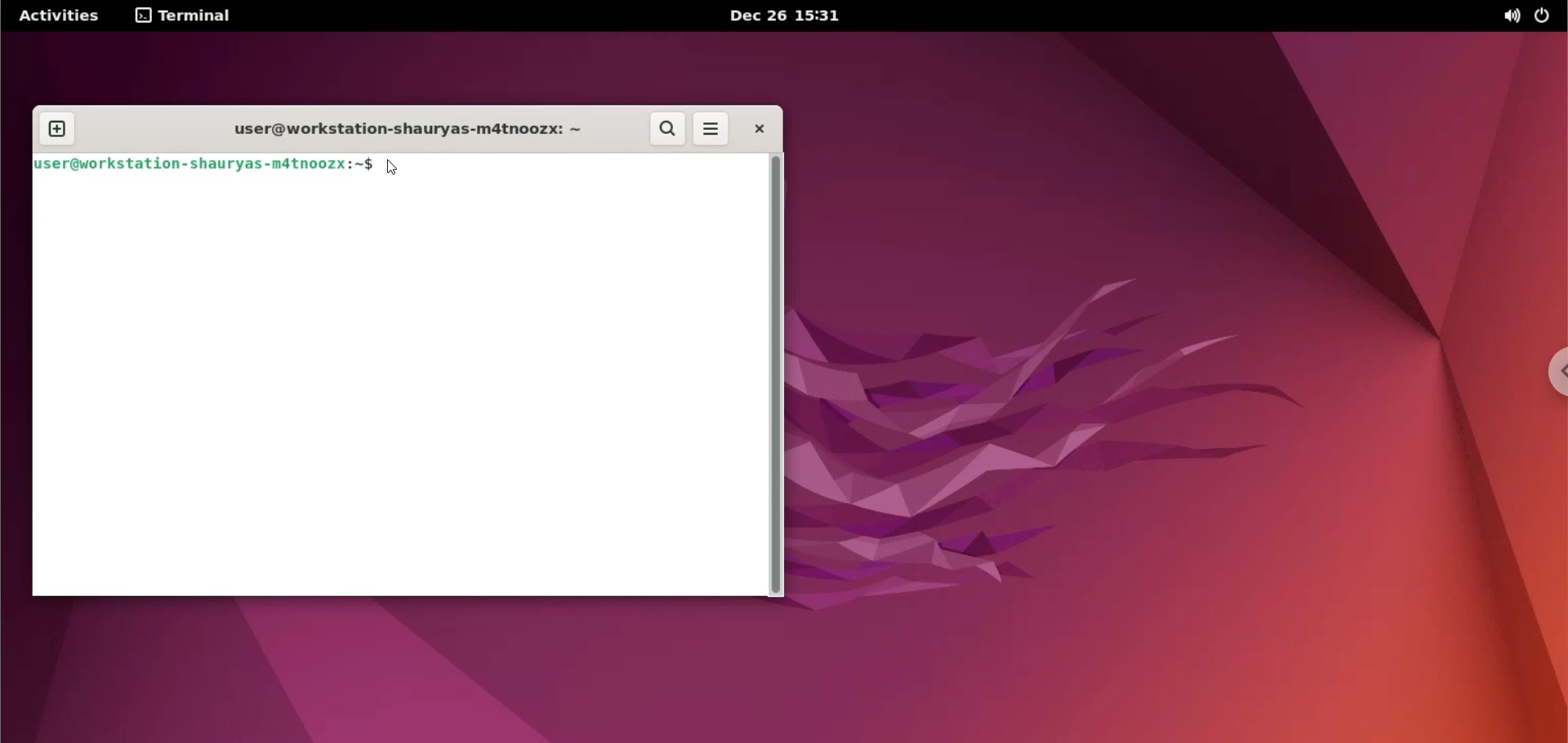 This screenshot has height=743, width=1568. I want to click on search, so click(666, 130).